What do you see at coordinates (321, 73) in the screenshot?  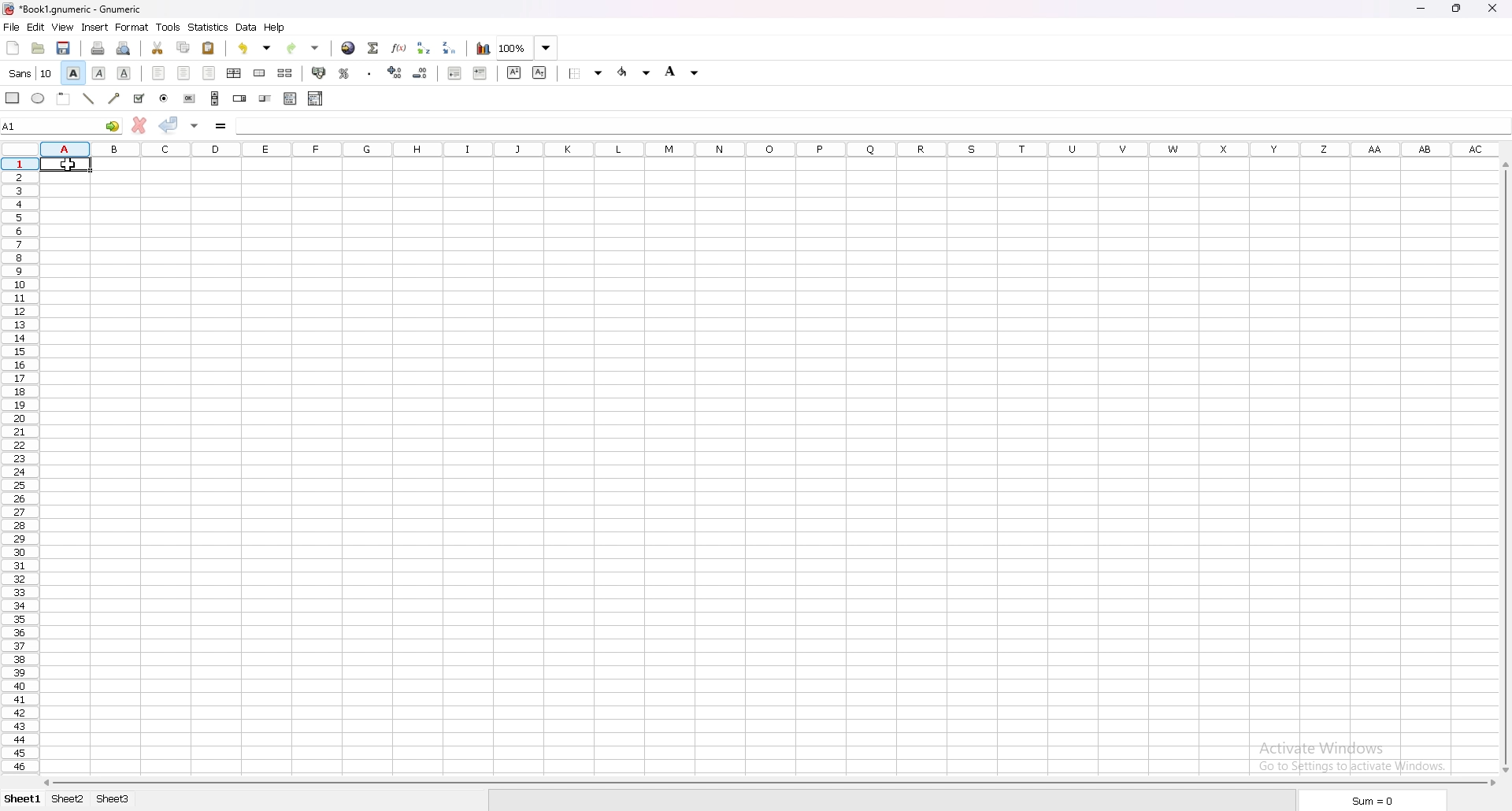 I see `accounting` at bounding box center [321, 73].